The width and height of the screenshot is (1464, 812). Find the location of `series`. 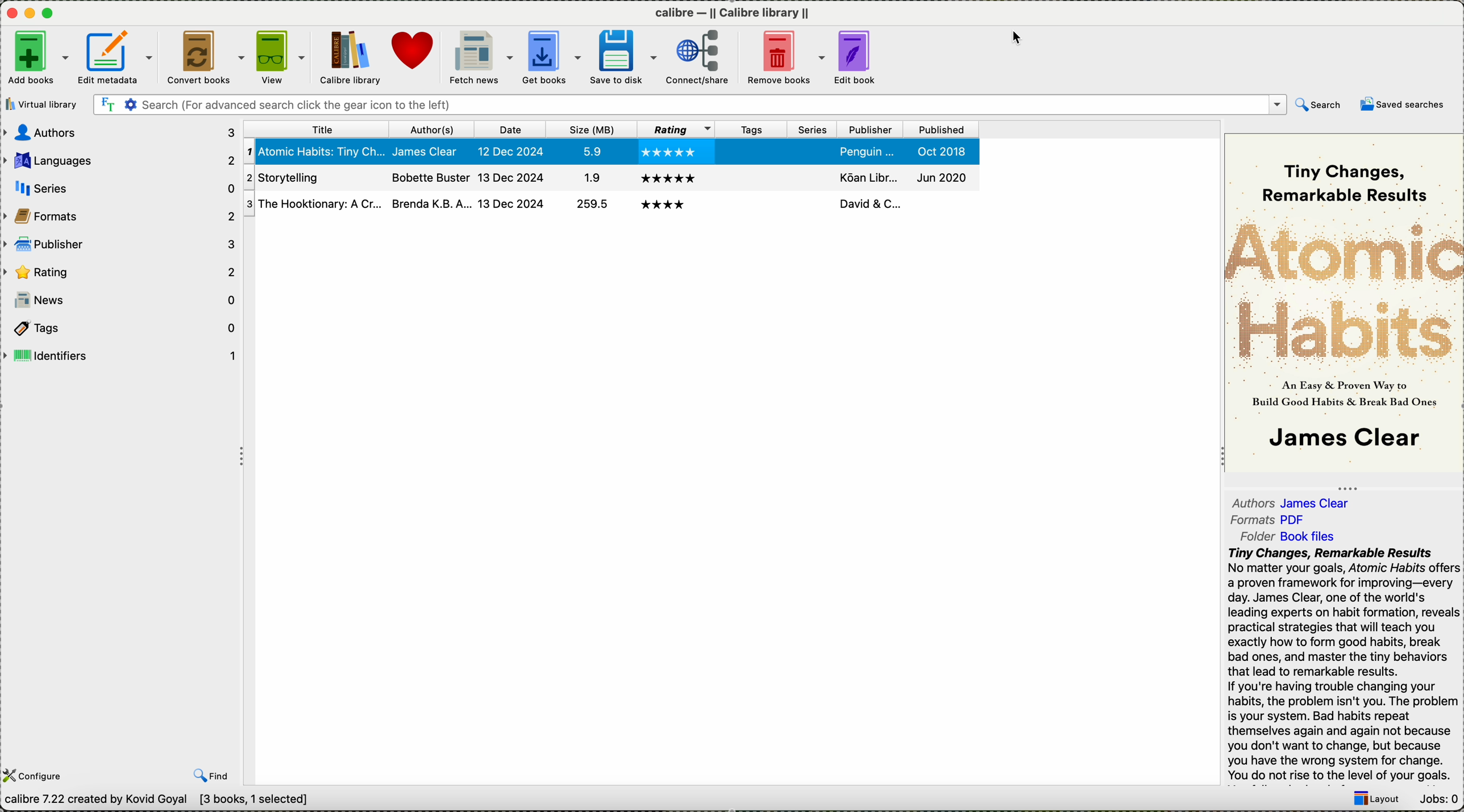

series is located at coordinates (813, 175).